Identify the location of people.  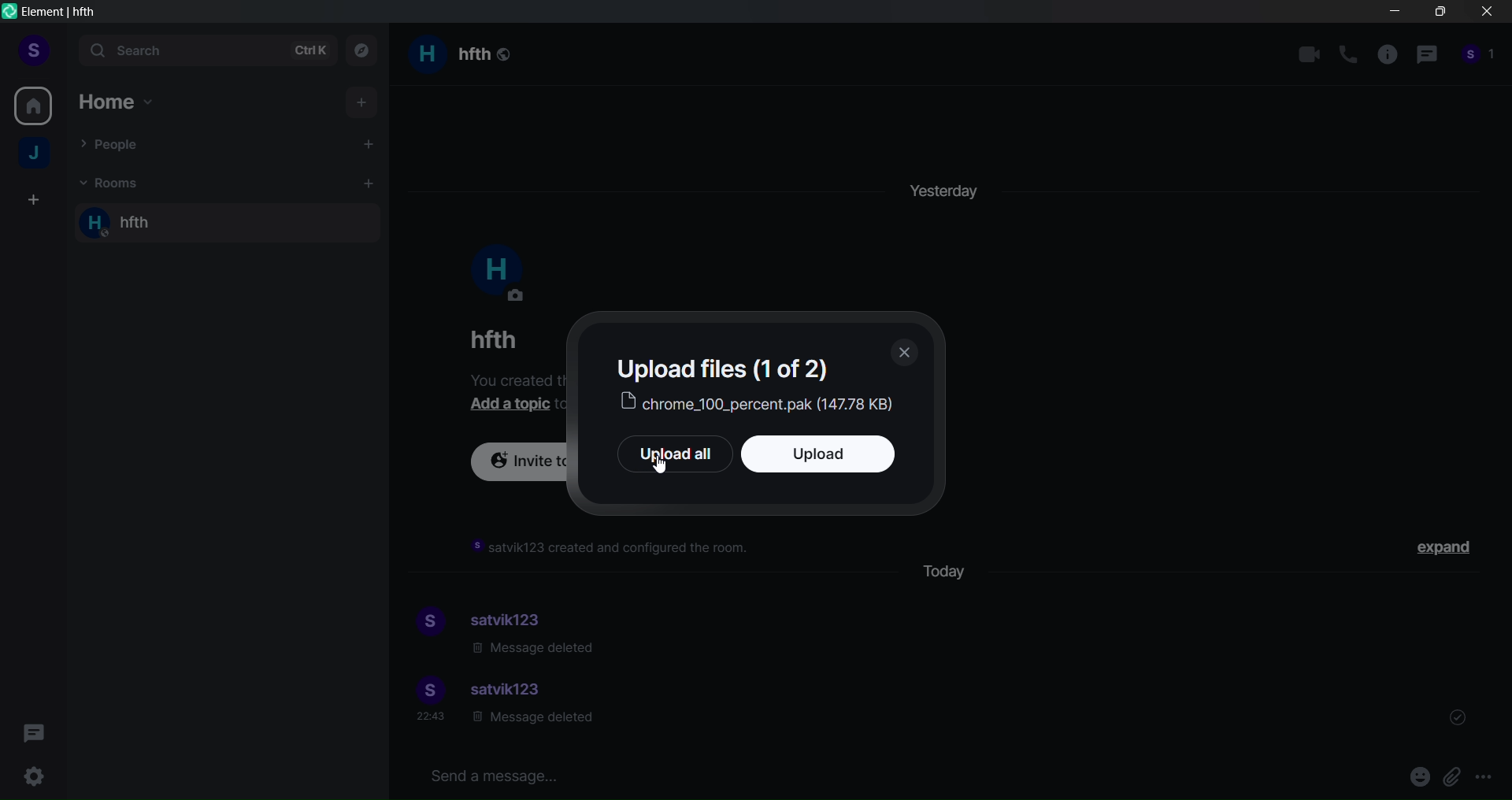
(1479, 59).